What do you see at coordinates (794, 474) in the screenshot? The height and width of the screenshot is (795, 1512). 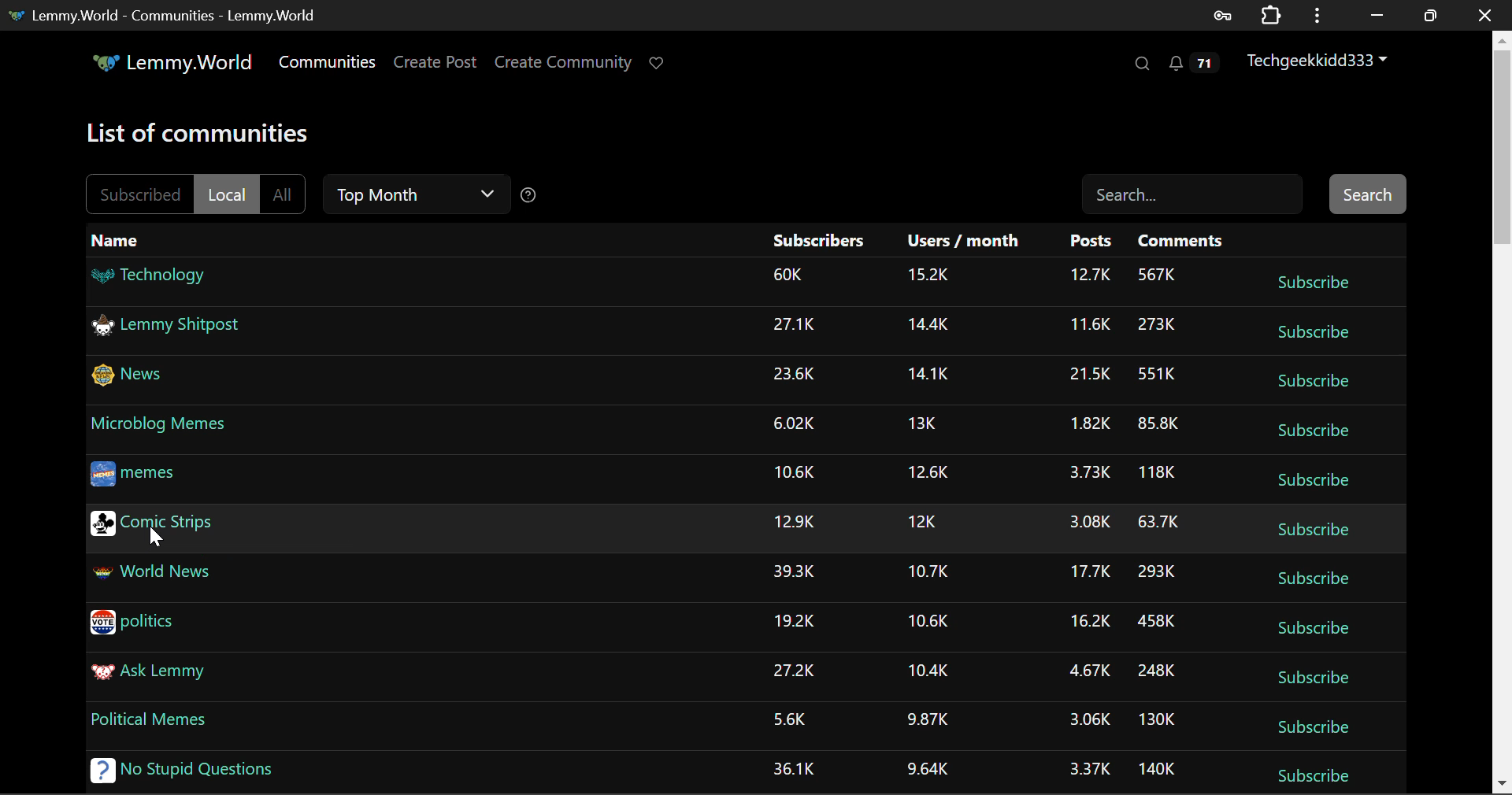 I see `10.6K` at bounding box center [794, 474].